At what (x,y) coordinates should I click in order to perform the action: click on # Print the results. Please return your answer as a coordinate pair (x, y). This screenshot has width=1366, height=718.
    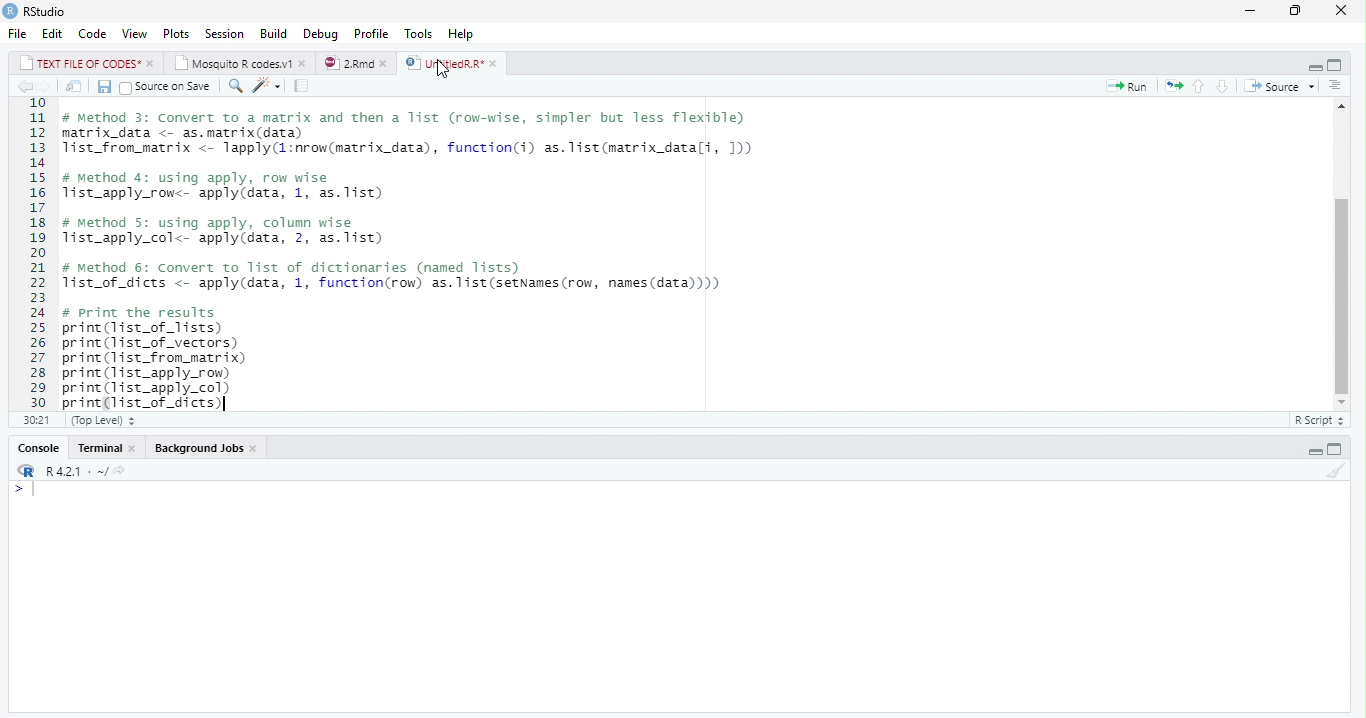
    Looking at the image, I should click on (141, 311).